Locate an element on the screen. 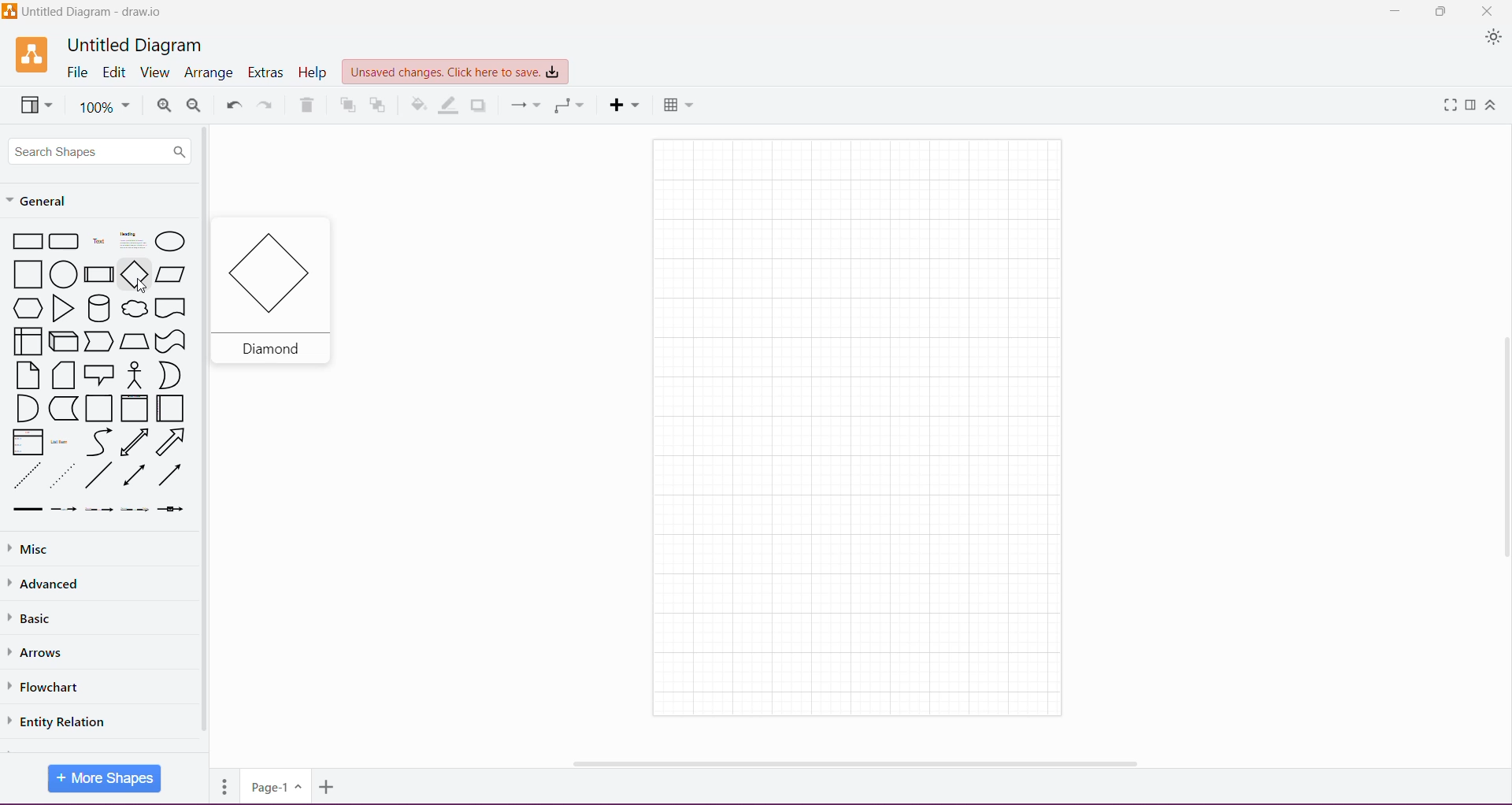 The height and width of the screenshot is (805, 1512). Waypoints is located at coordinates (570, 106).